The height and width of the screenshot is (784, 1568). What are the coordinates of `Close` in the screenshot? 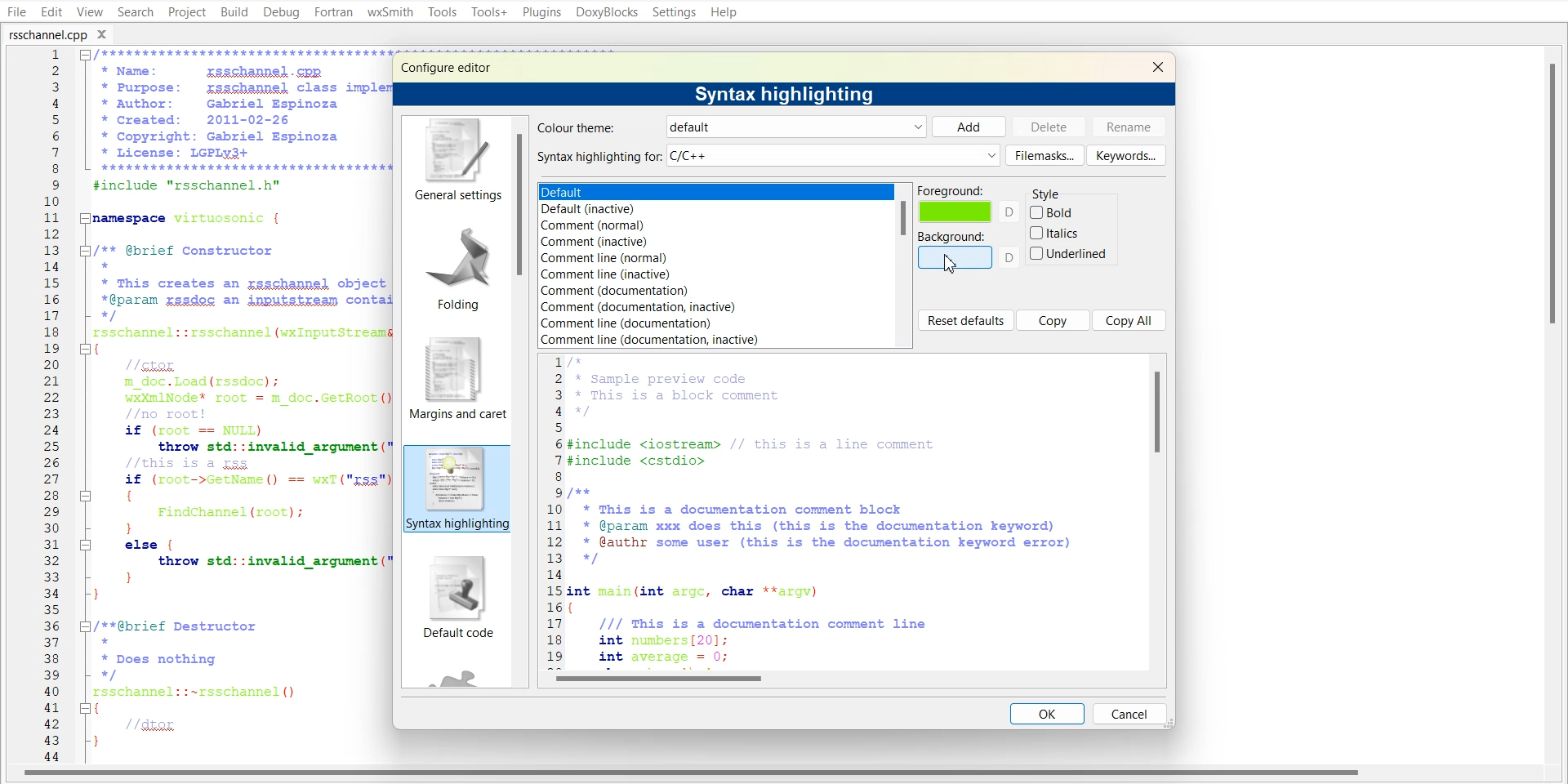 It's located at (1157, 66).